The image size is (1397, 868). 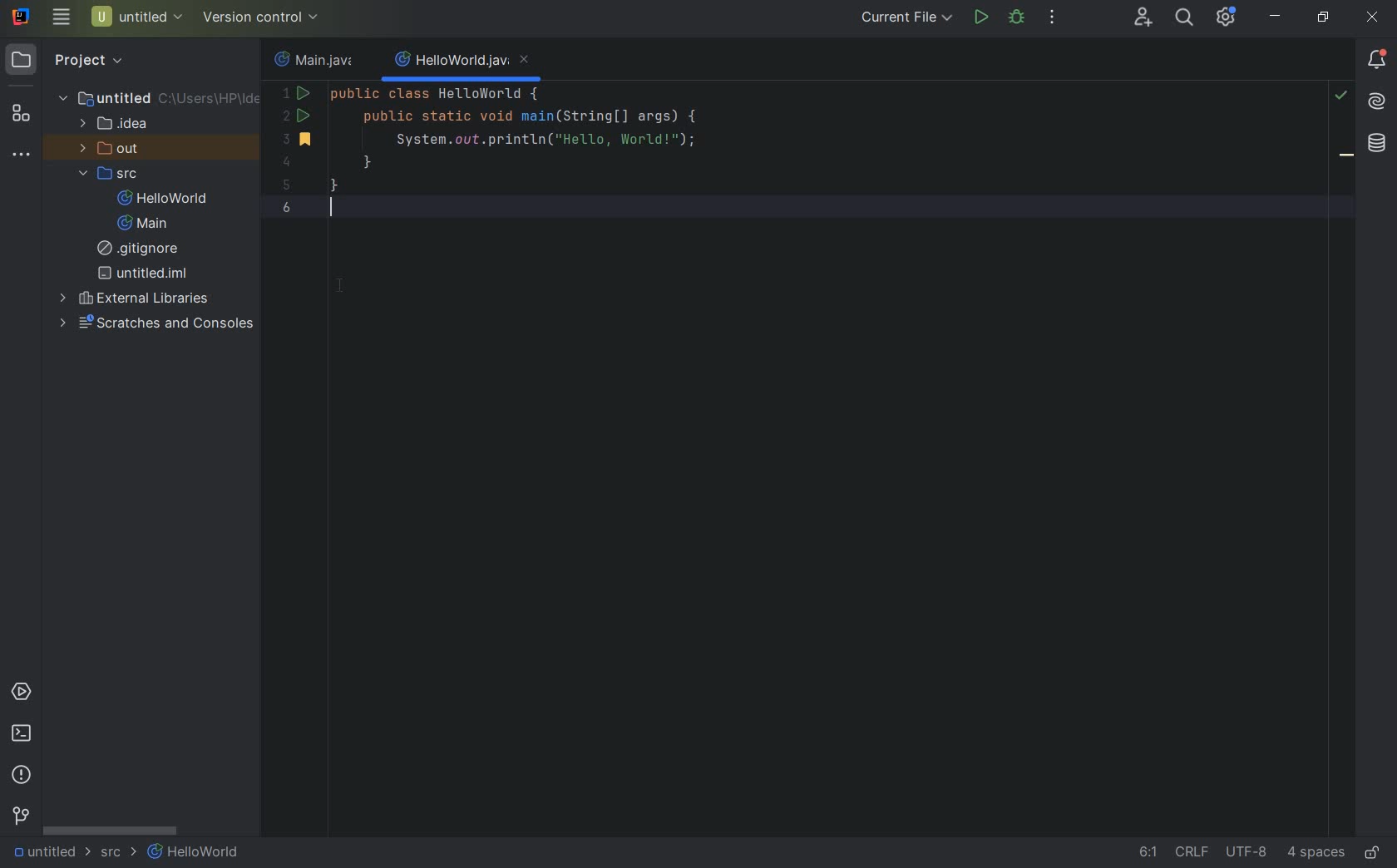 I want to click on src, so click(x=116, y=856).